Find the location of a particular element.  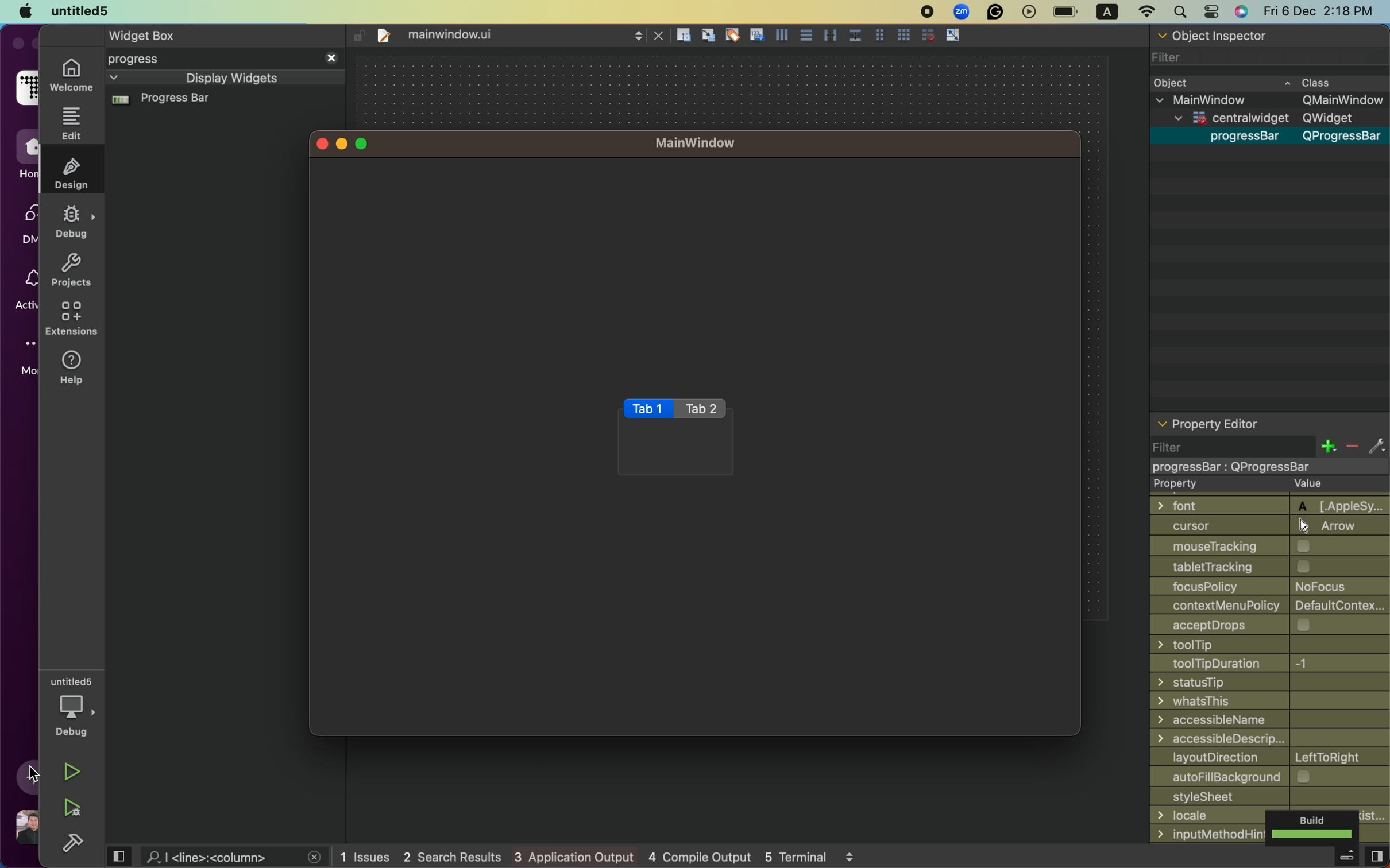

settings is located at coordinates (1378, 447).